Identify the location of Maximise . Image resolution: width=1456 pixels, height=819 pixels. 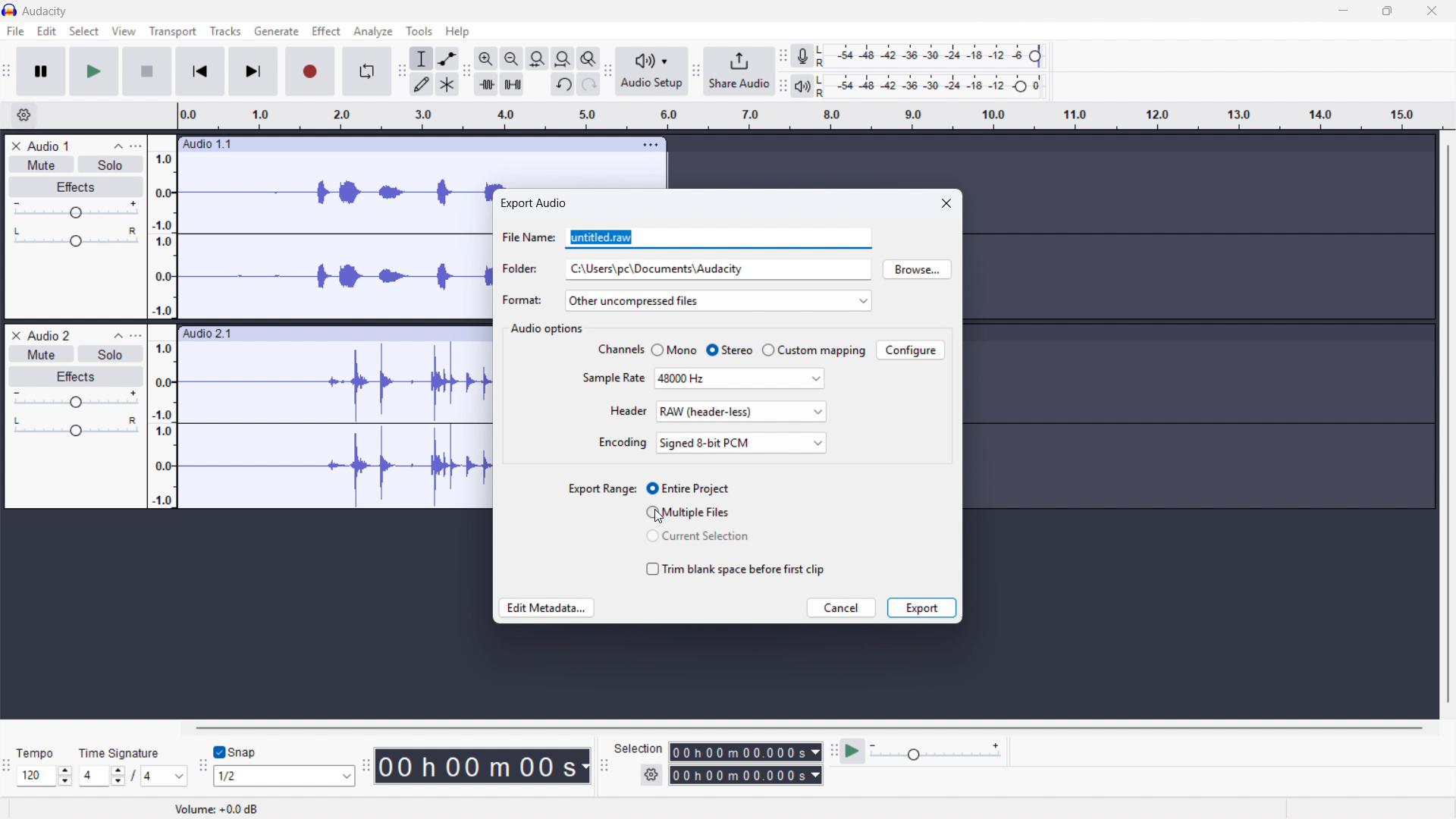
(1385, 11).